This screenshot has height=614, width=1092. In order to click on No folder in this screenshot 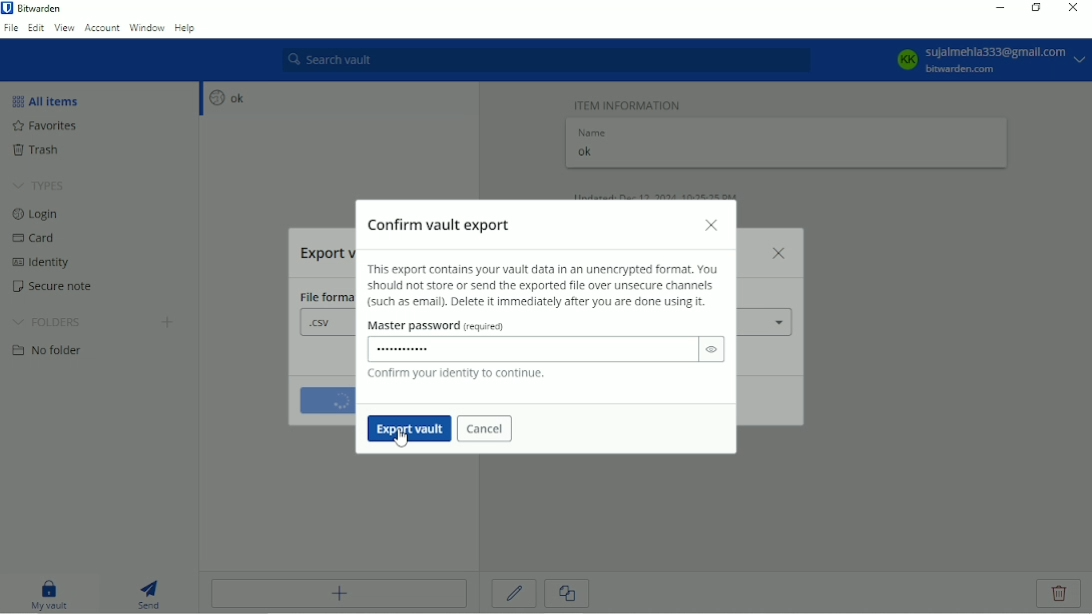, I will do `click(52, 352)`.